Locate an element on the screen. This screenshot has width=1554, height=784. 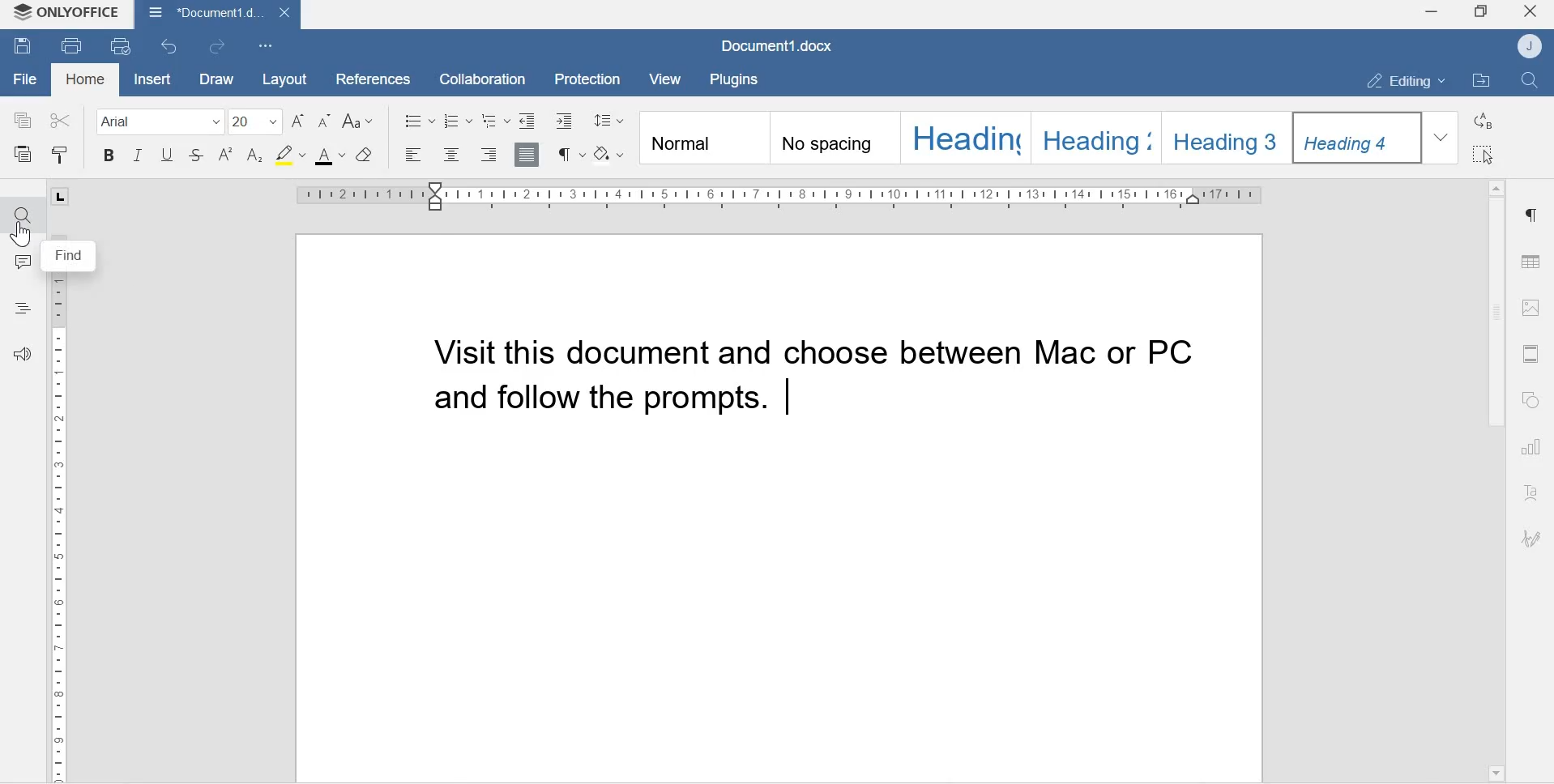
Underline is located at coordinates (166, 159).